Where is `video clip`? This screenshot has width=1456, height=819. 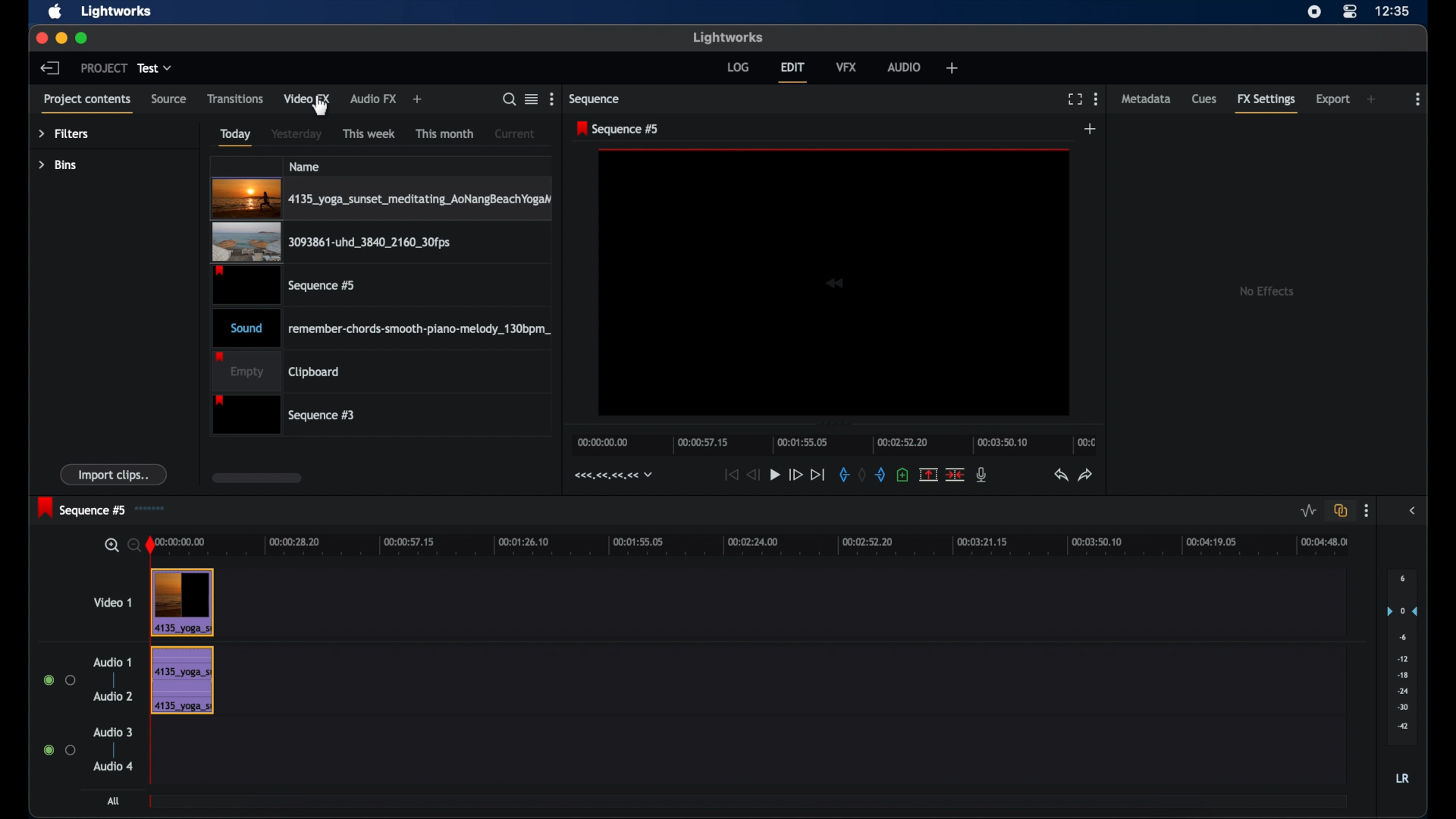
video clip is located at coordinates (182, 602).